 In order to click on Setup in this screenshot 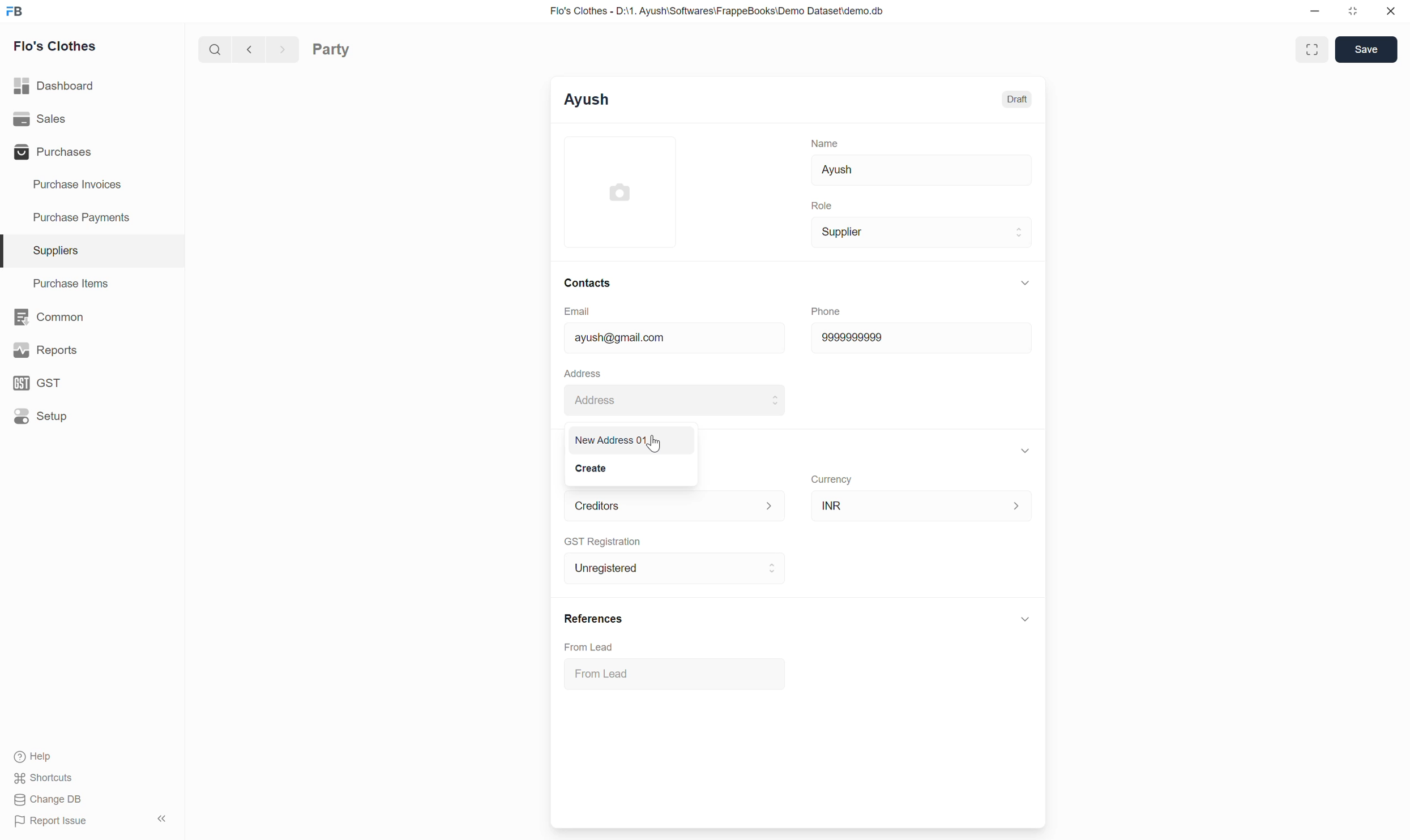, I will do `click(91, 416)`.